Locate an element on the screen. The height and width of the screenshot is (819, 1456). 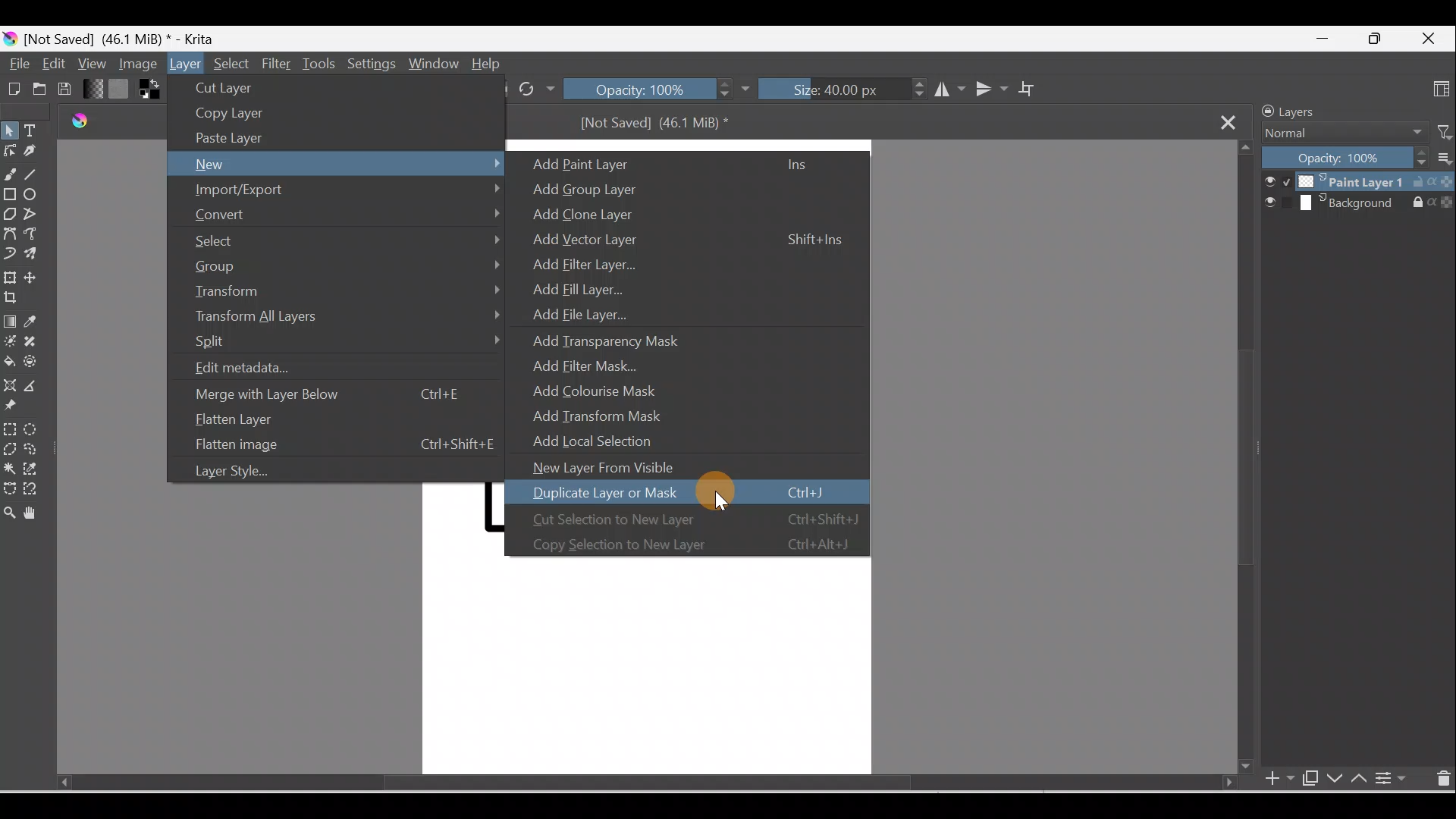
Similar colour selection tool is located at coordinates (35, 471).